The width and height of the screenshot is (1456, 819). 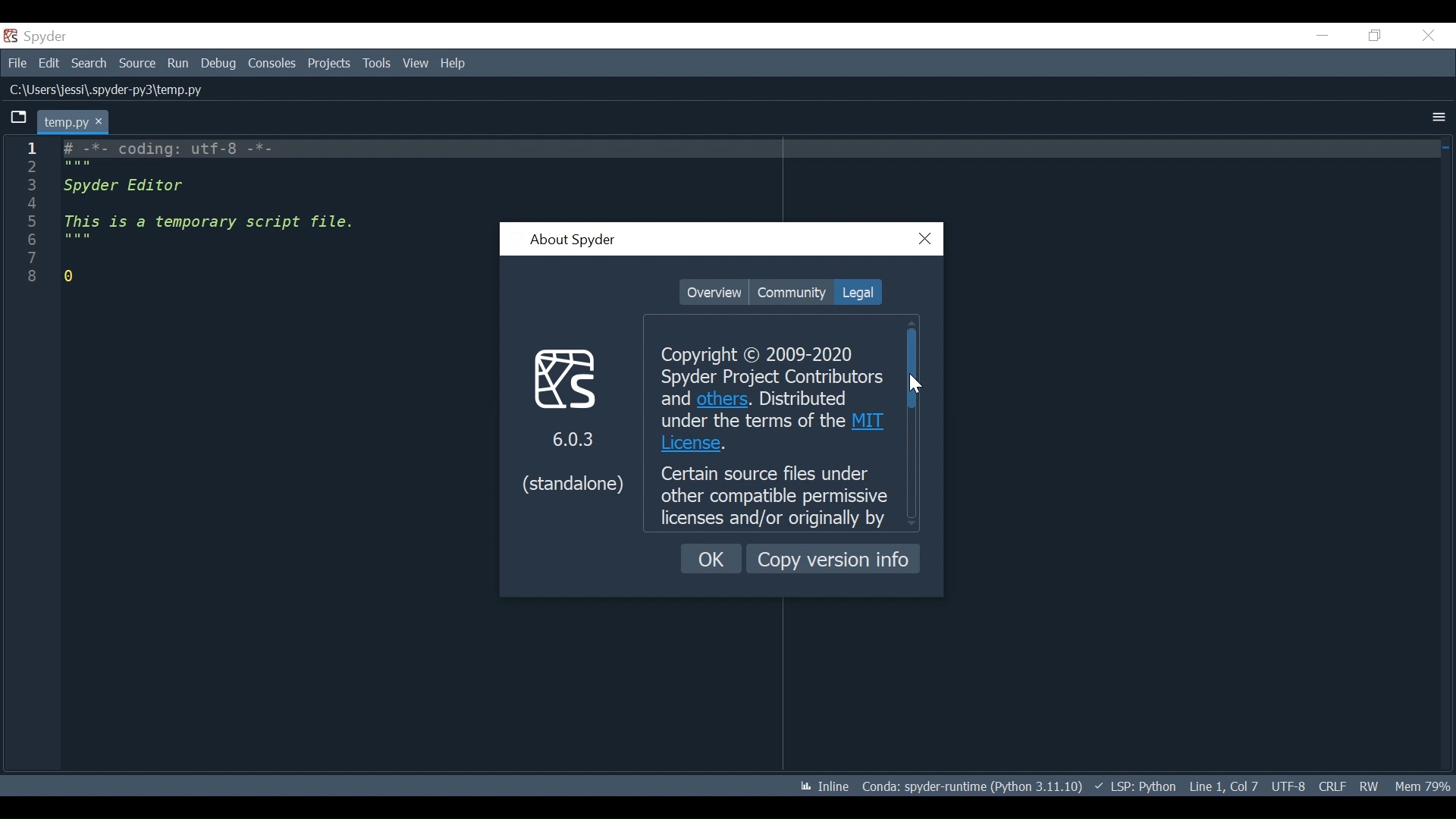 I want to click on Search, so click(x=89, y=63).